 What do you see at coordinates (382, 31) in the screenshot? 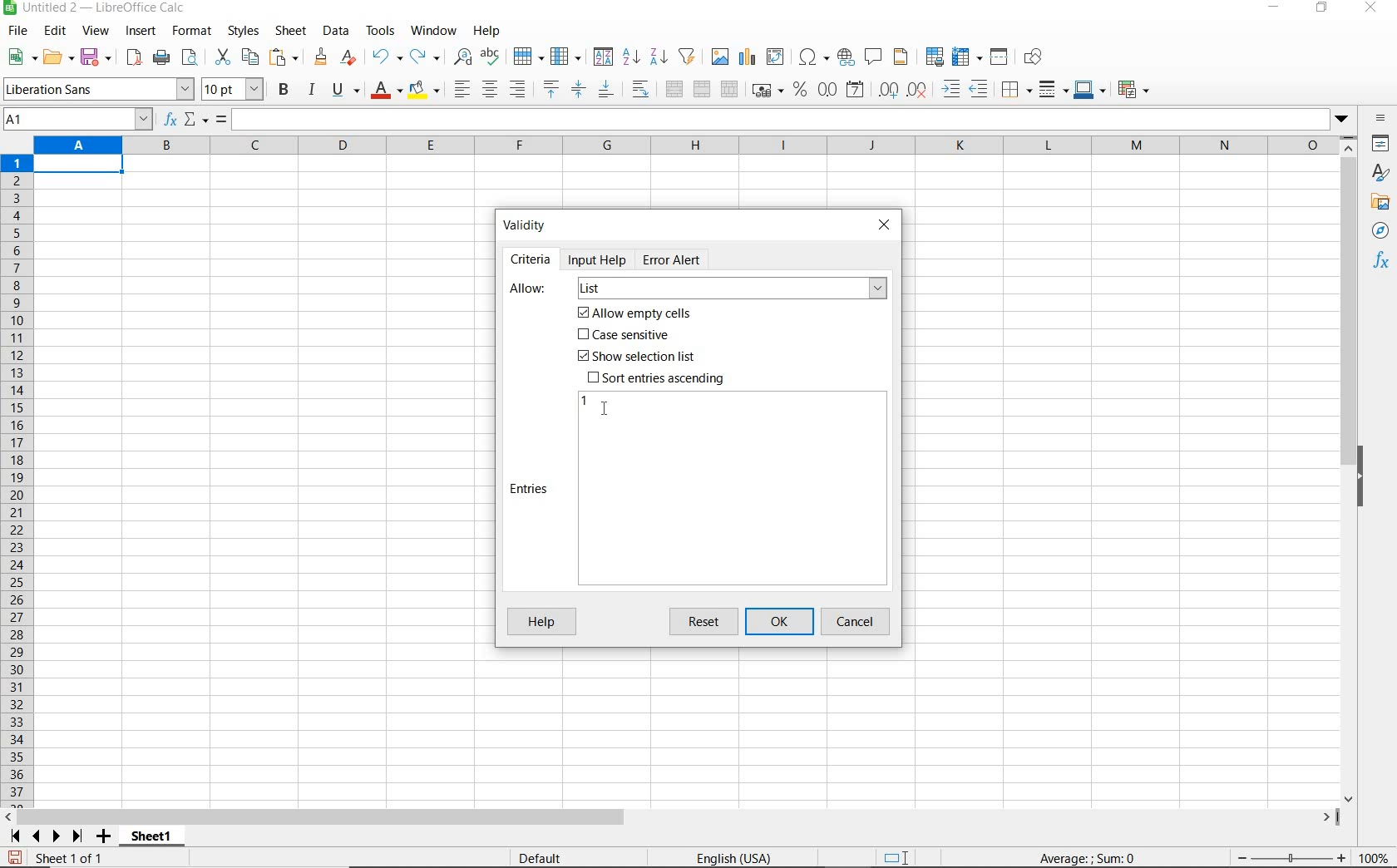
I see `tools` at bounding box center [382, 31].